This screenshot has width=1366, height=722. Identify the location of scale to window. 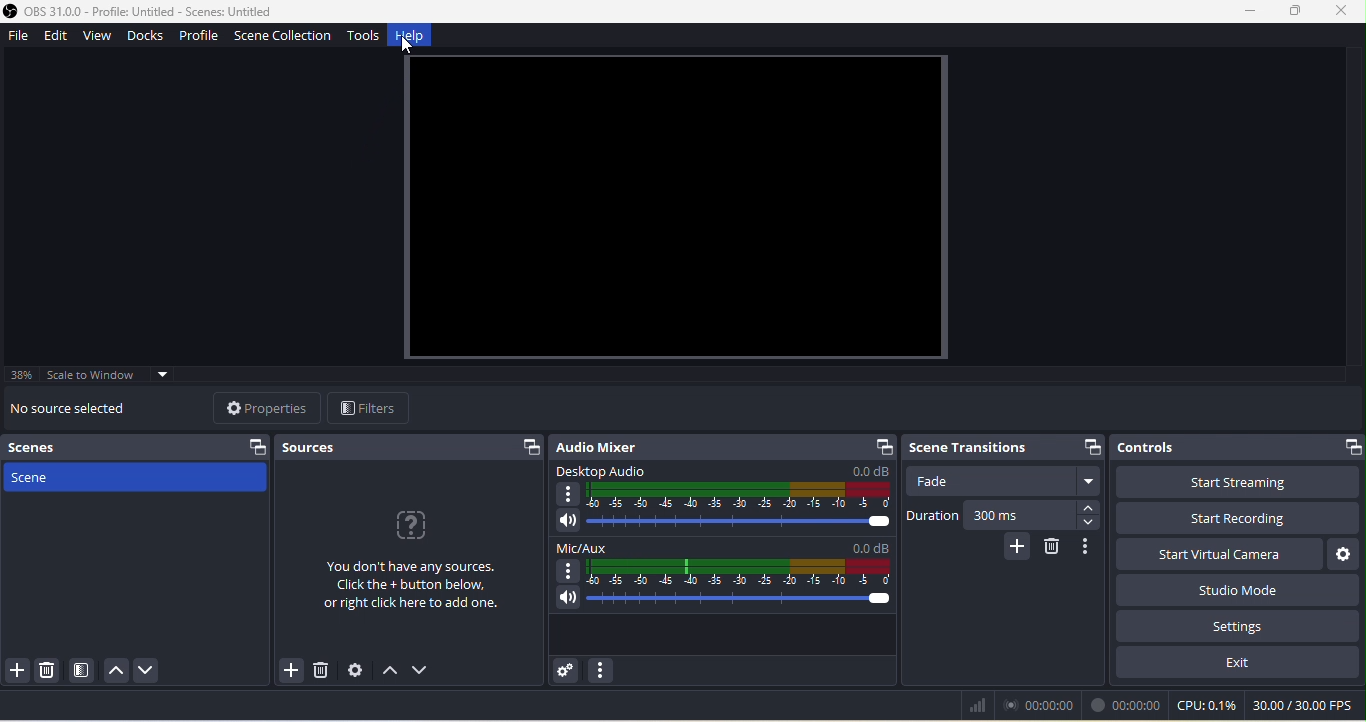
(120, 376).